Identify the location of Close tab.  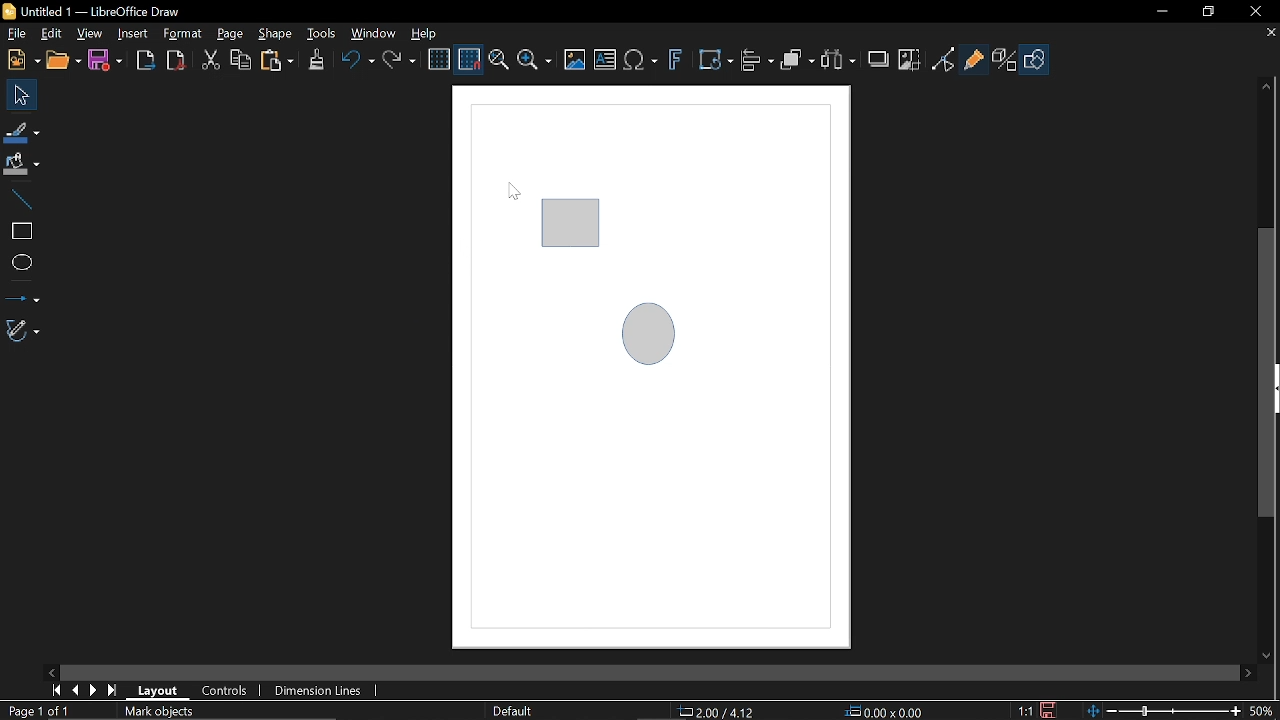
(1270, 32).